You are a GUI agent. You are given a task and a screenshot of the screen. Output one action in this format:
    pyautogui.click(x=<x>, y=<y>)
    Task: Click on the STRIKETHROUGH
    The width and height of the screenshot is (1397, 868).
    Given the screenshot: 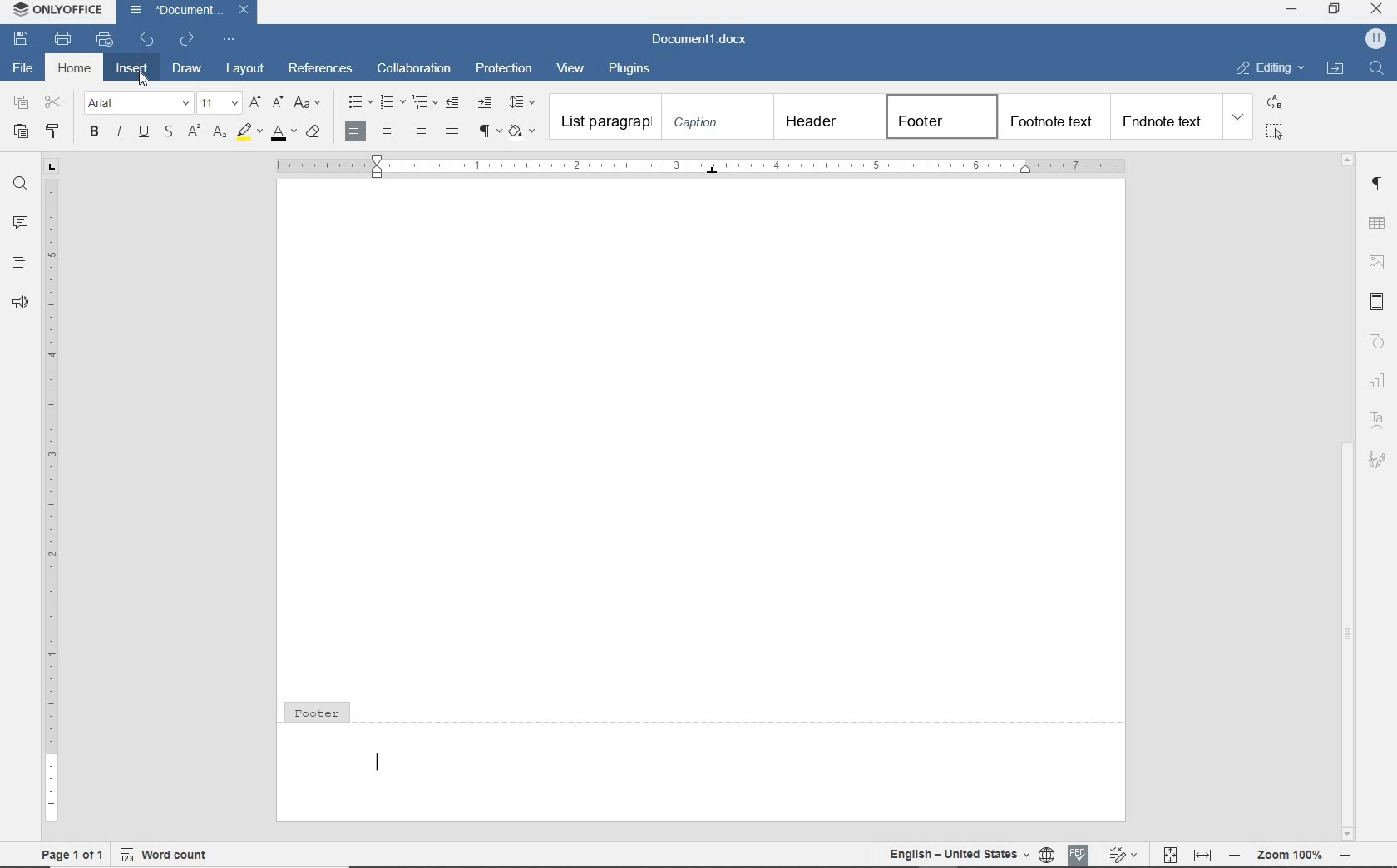 What is the action you would take?
    pyautogui.click(x=168, y=133)
    